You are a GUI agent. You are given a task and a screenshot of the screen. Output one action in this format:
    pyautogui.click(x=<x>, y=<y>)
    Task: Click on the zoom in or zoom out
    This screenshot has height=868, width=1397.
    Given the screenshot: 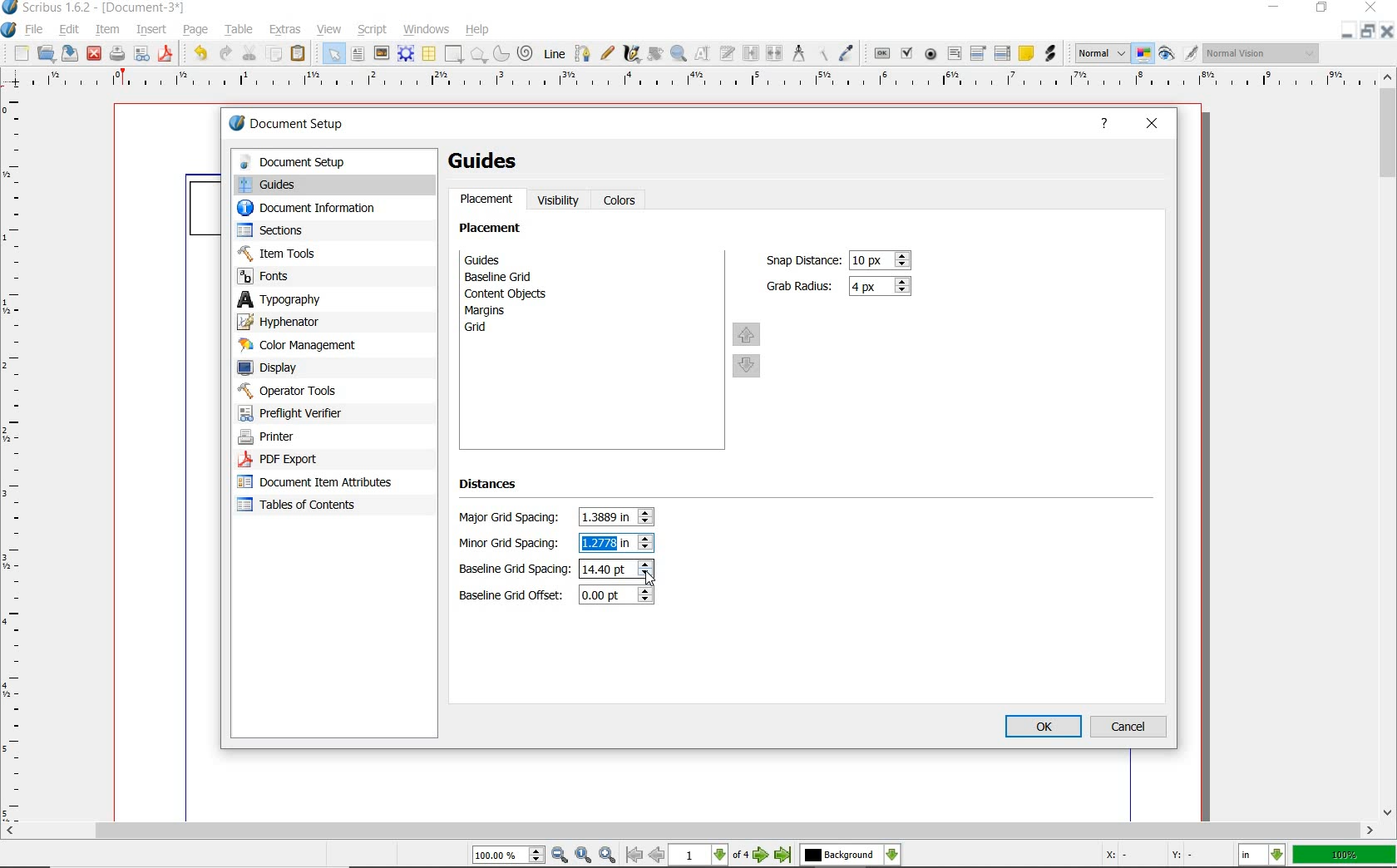 What is the action you would take?
    pyautogui.click(x=679, y=55)
    